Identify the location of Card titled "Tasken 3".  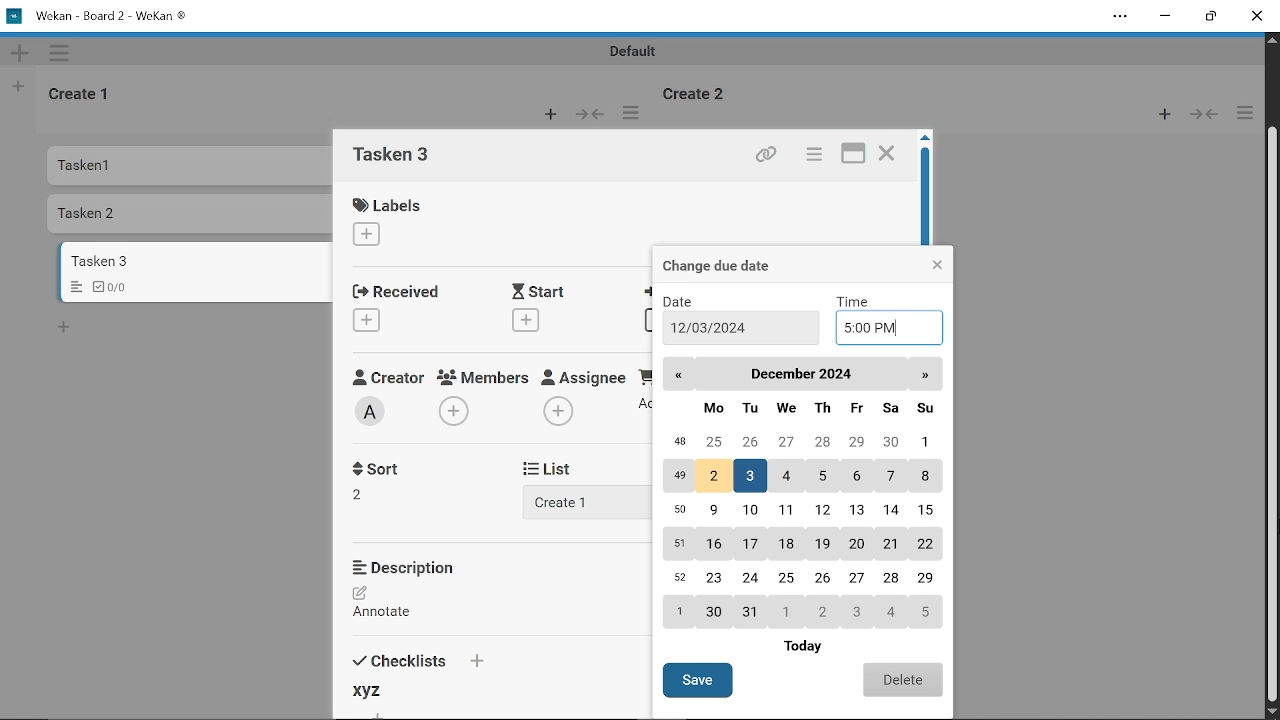
(198, 260).